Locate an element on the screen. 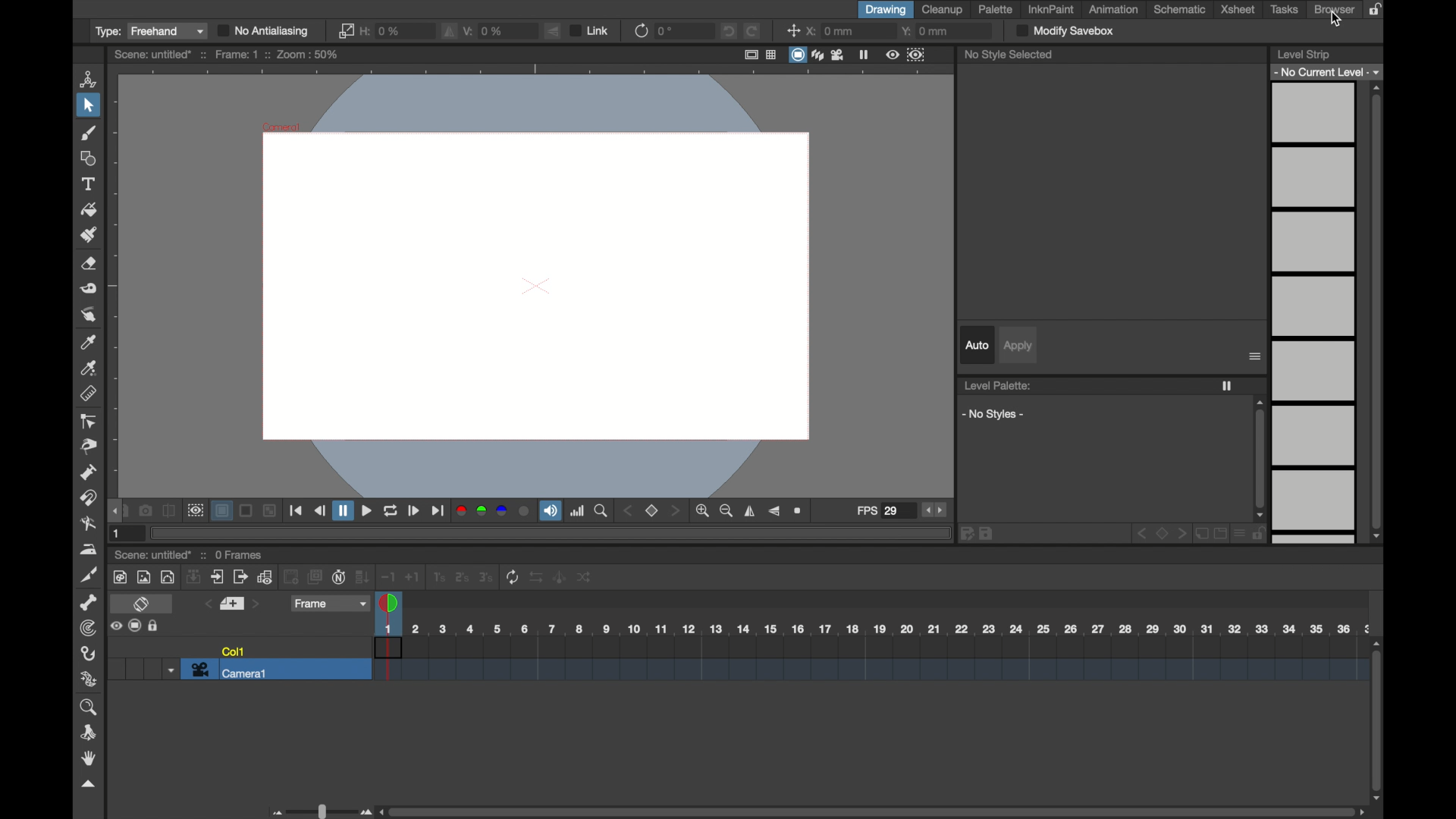 The width and height of the screenshot is (1456, 819). backgrounds is located at coordinates (245, 511).